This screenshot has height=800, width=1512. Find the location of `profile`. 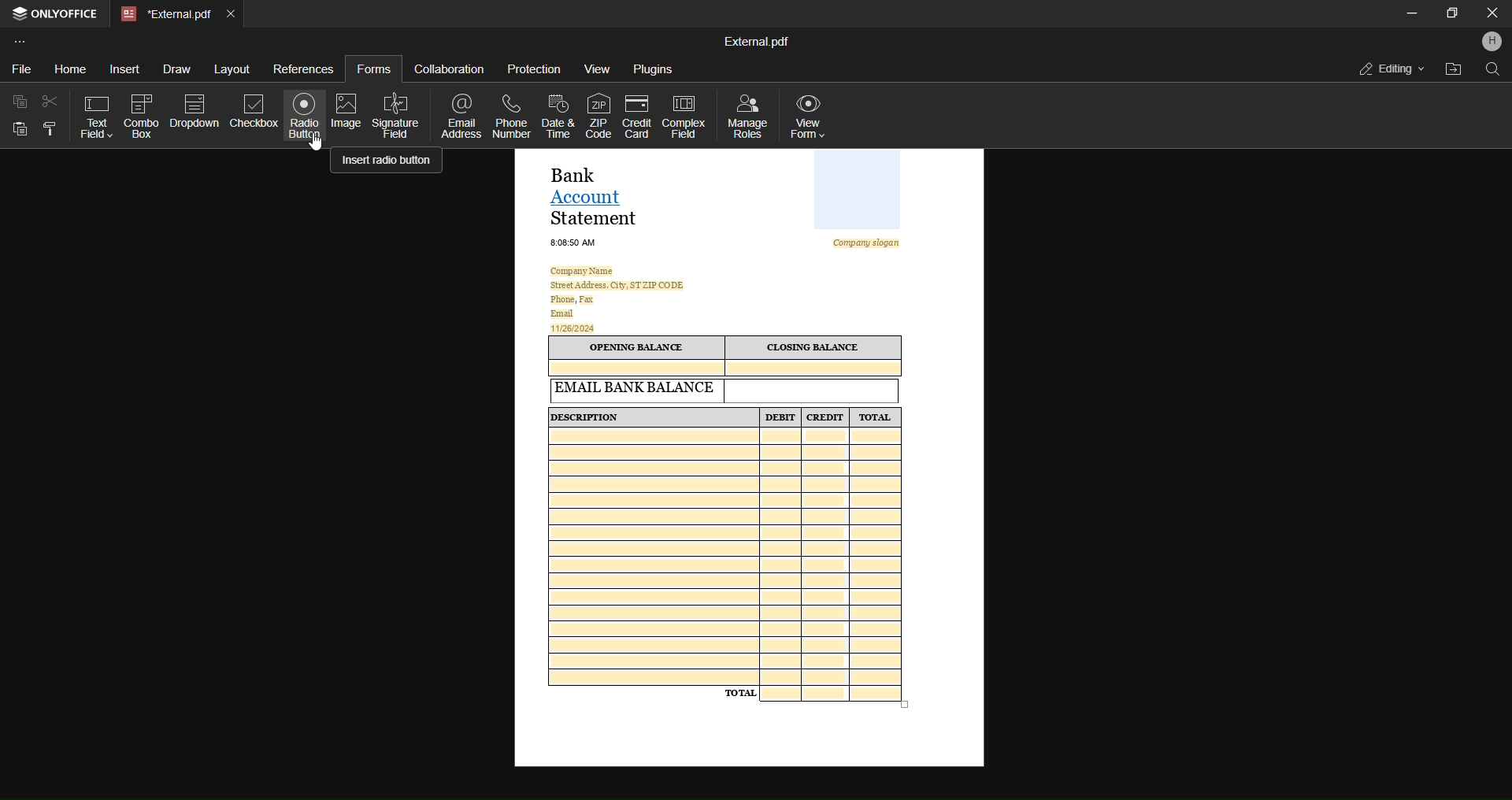

profile is located at coordinates (1491, 43).